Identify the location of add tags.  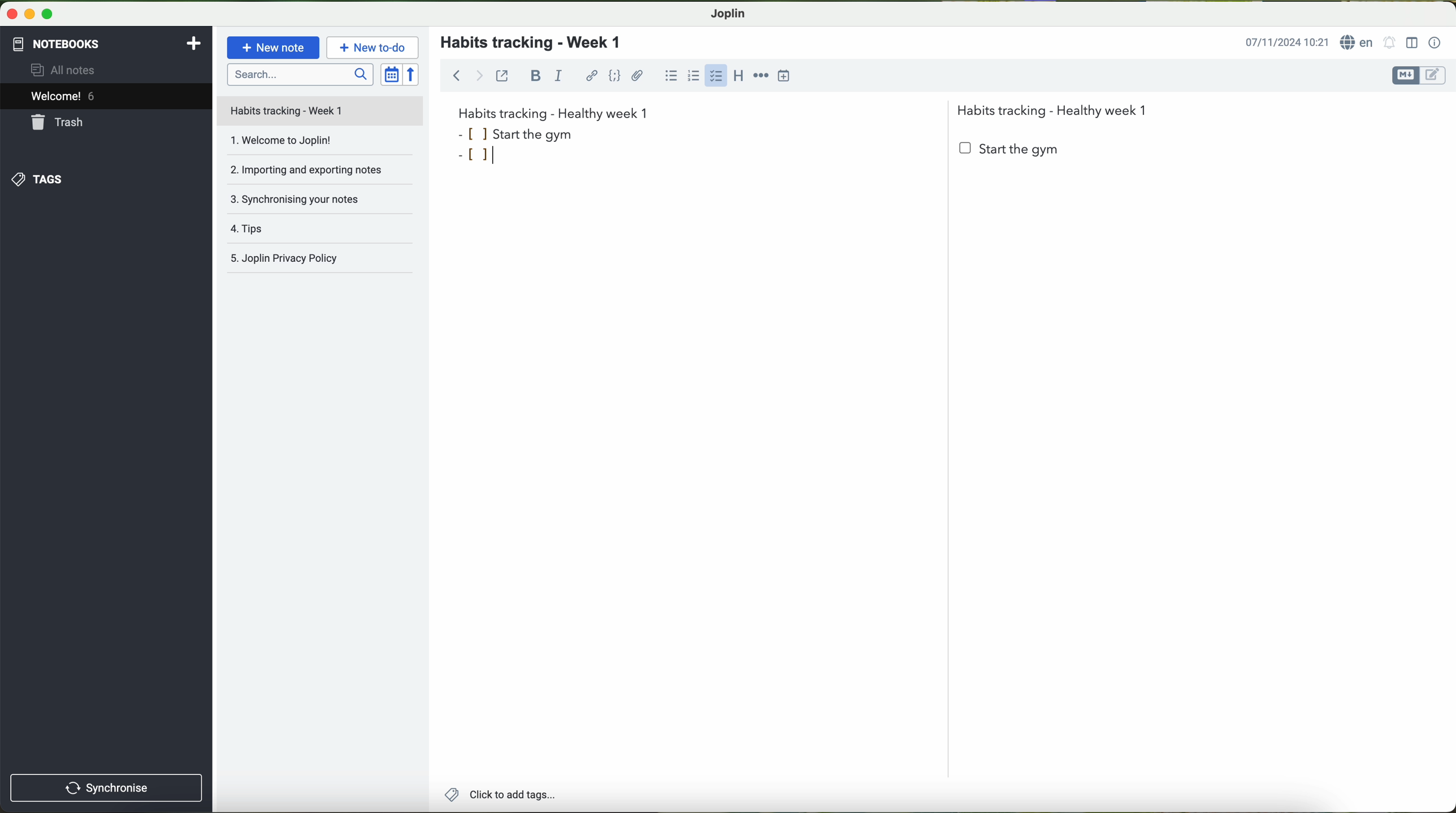
(497, 795).